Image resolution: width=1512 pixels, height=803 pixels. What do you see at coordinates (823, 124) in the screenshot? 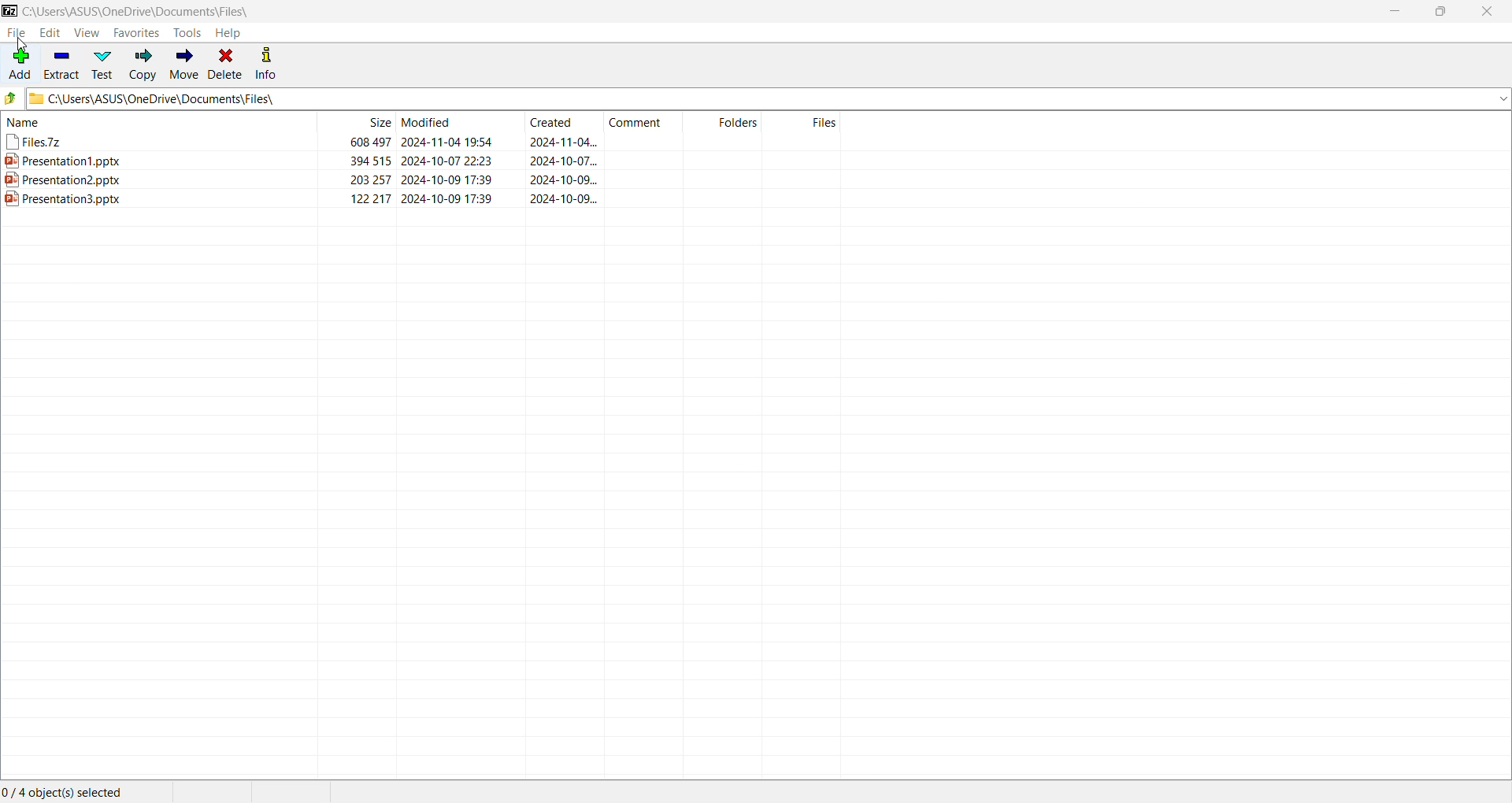
I see `Files` at bounding box center [823, 124].